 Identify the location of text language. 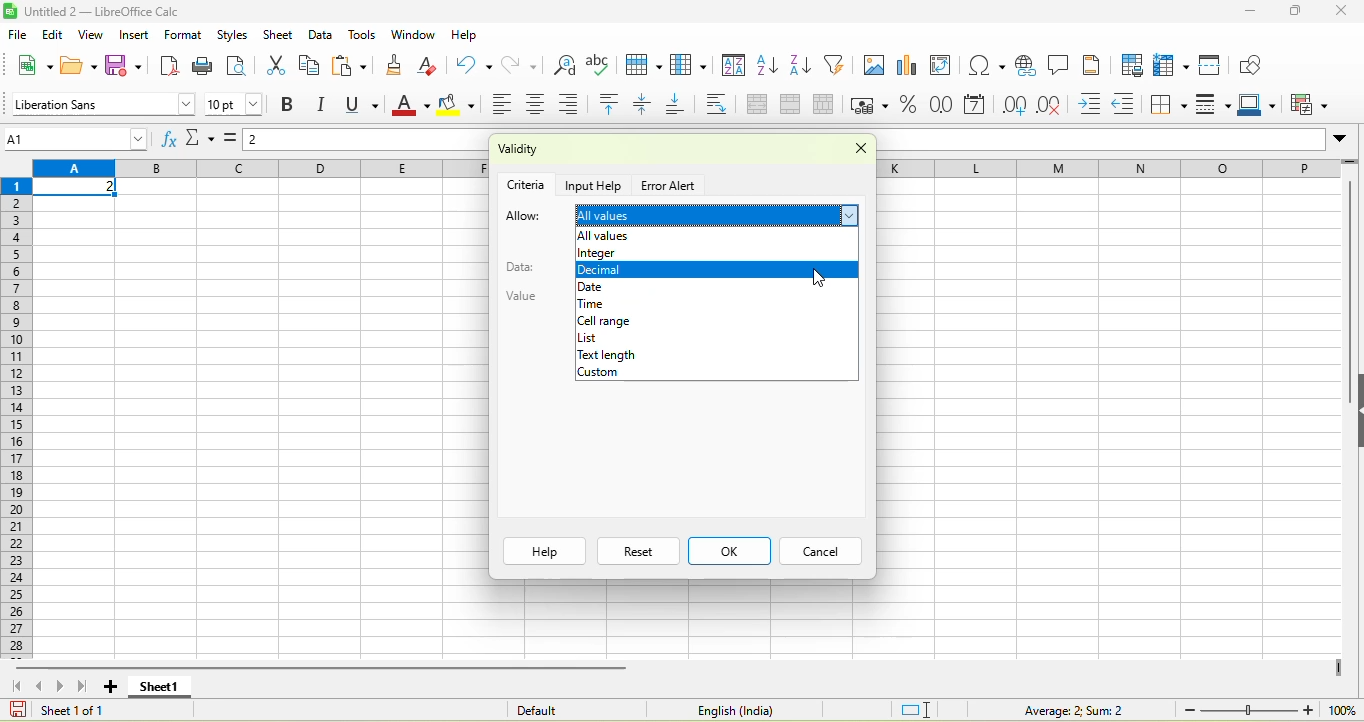
(731, 710).